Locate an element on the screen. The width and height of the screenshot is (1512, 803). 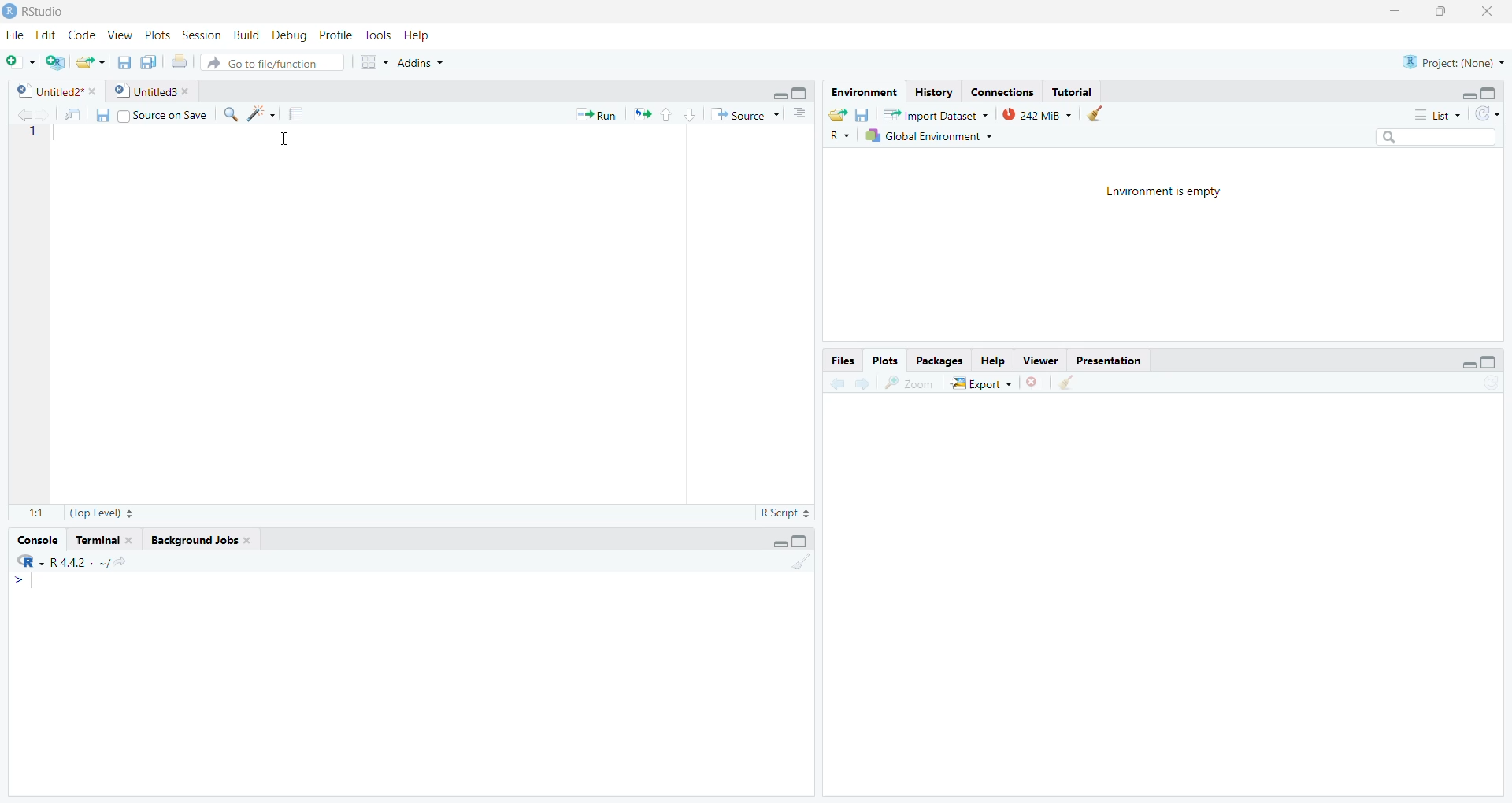
close is located at coordinates (1035, 382).